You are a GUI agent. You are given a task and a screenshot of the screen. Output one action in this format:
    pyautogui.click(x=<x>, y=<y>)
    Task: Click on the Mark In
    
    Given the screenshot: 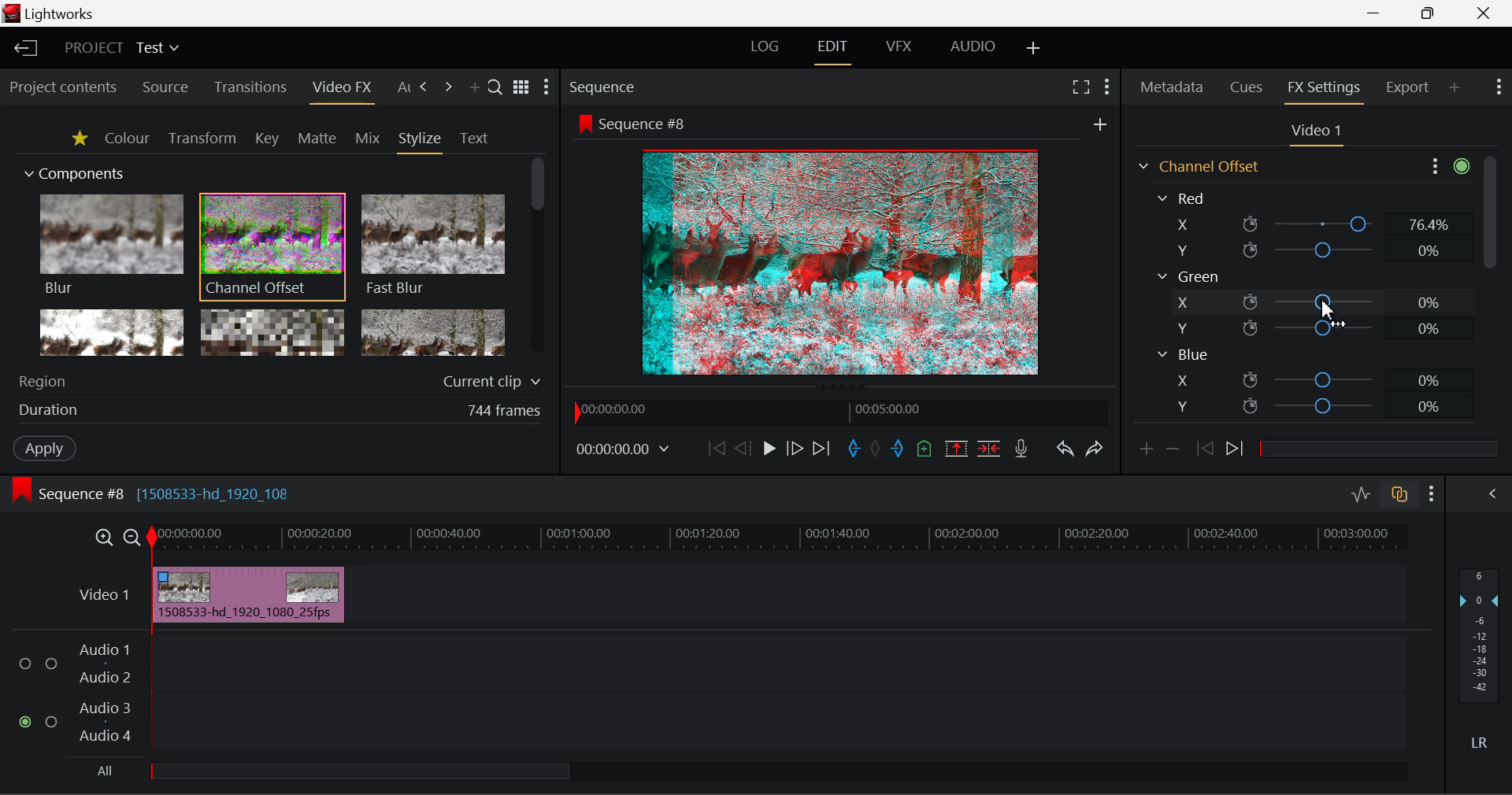 What is the action you would take?
    pyautogui.click(x=854, y=449)
    